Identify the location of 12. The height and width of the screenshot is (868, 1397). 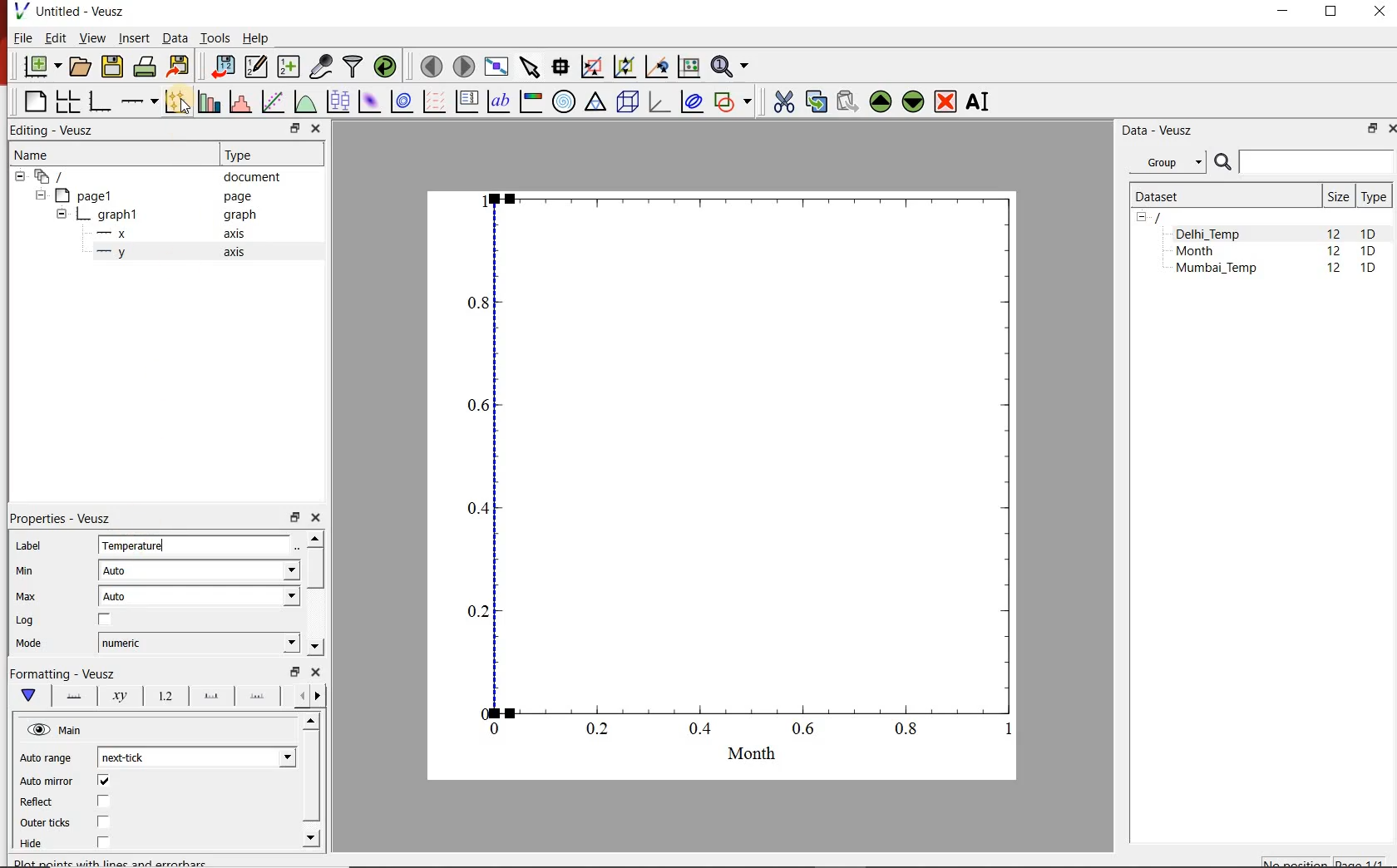
(1334, 253).